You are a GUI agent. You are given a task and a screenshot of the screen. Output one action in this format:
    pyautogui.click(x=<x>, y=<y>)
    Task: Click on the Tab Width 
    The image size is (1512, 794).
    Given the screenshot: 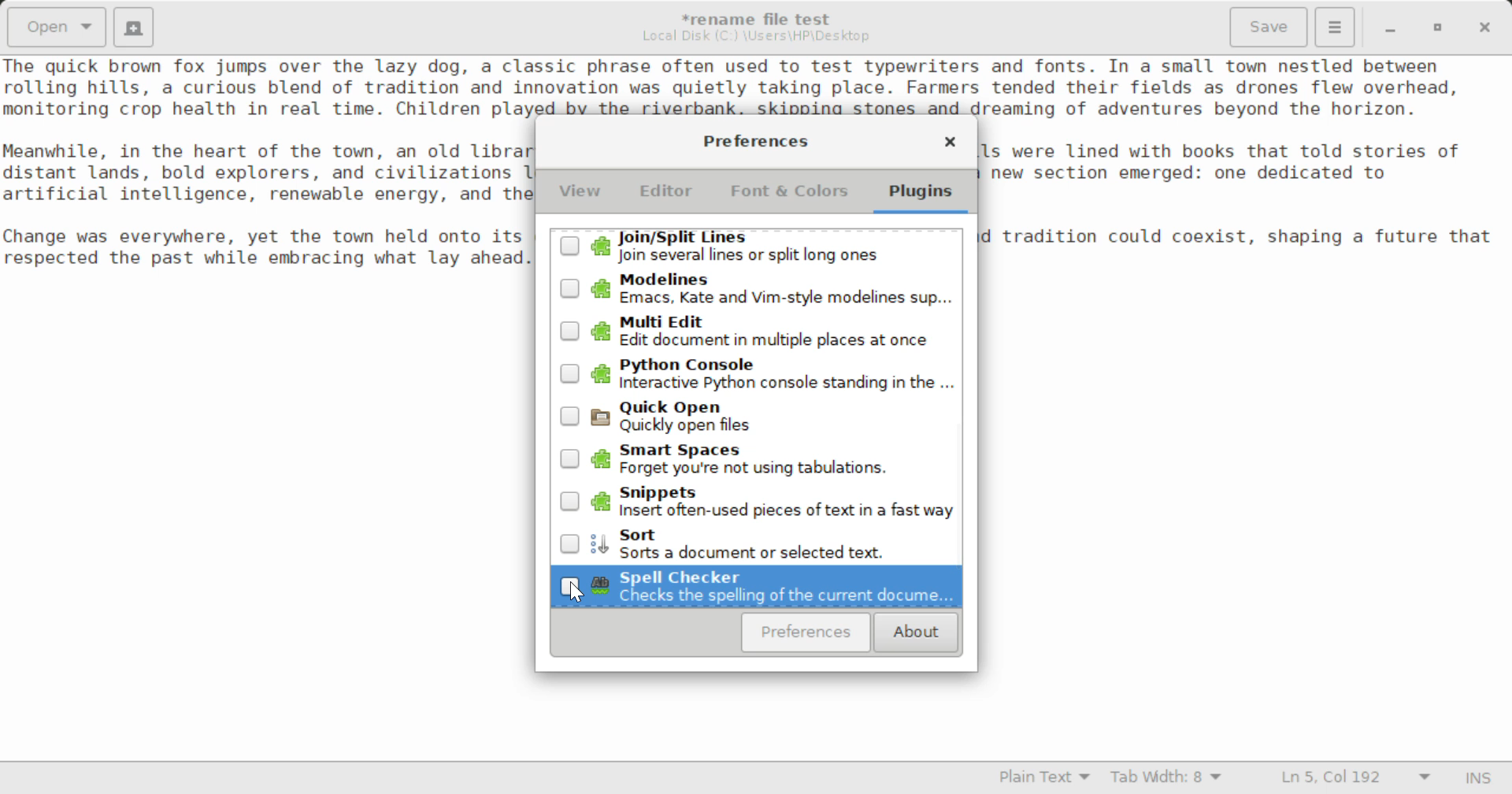 What is the action you would take?
    pyautogui.click(x=1169, y=779)
    